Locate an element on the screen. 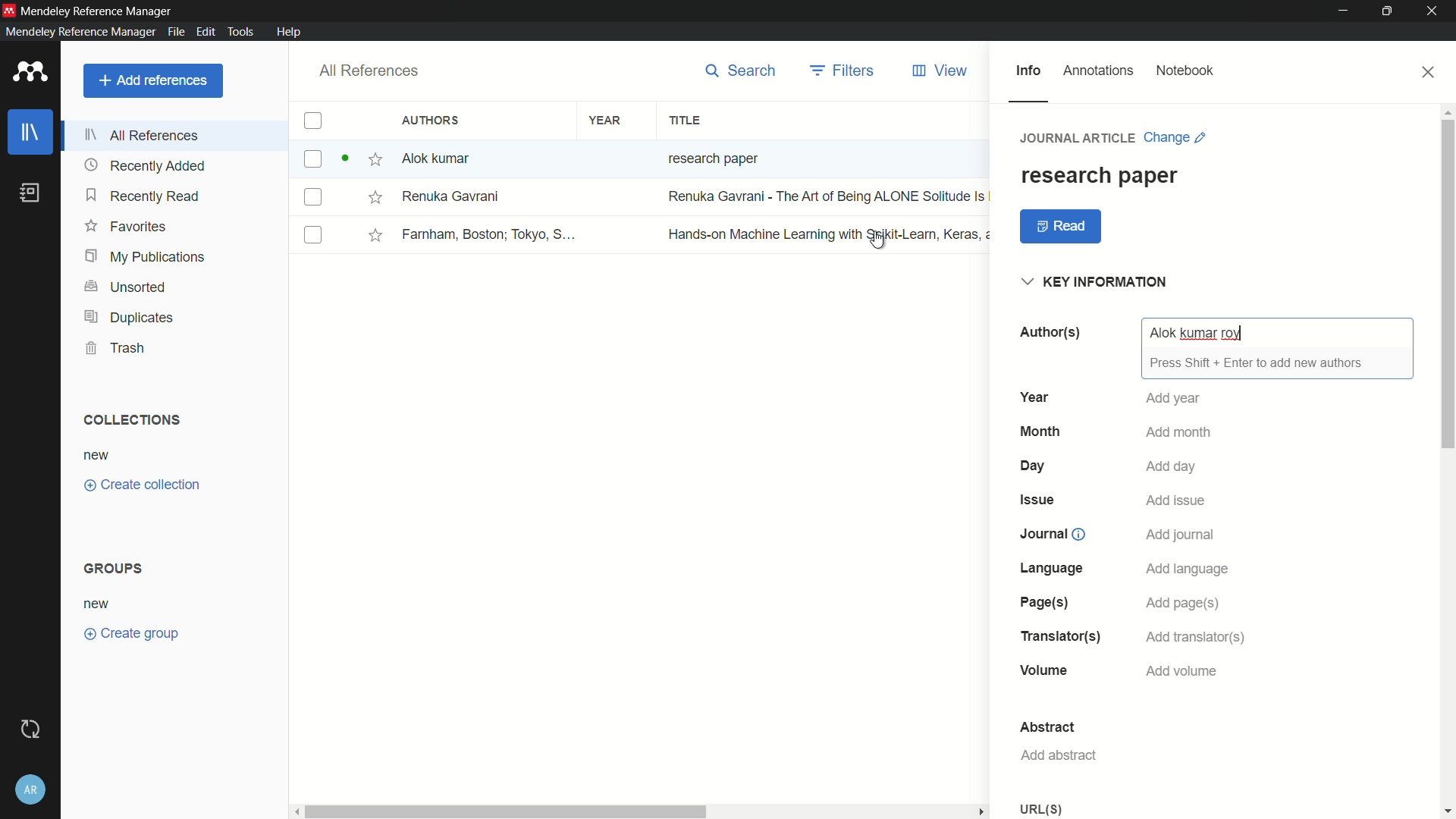 The height and width of the screenshot is (819, 1456). unsorted is located at coordinates (127, 288).